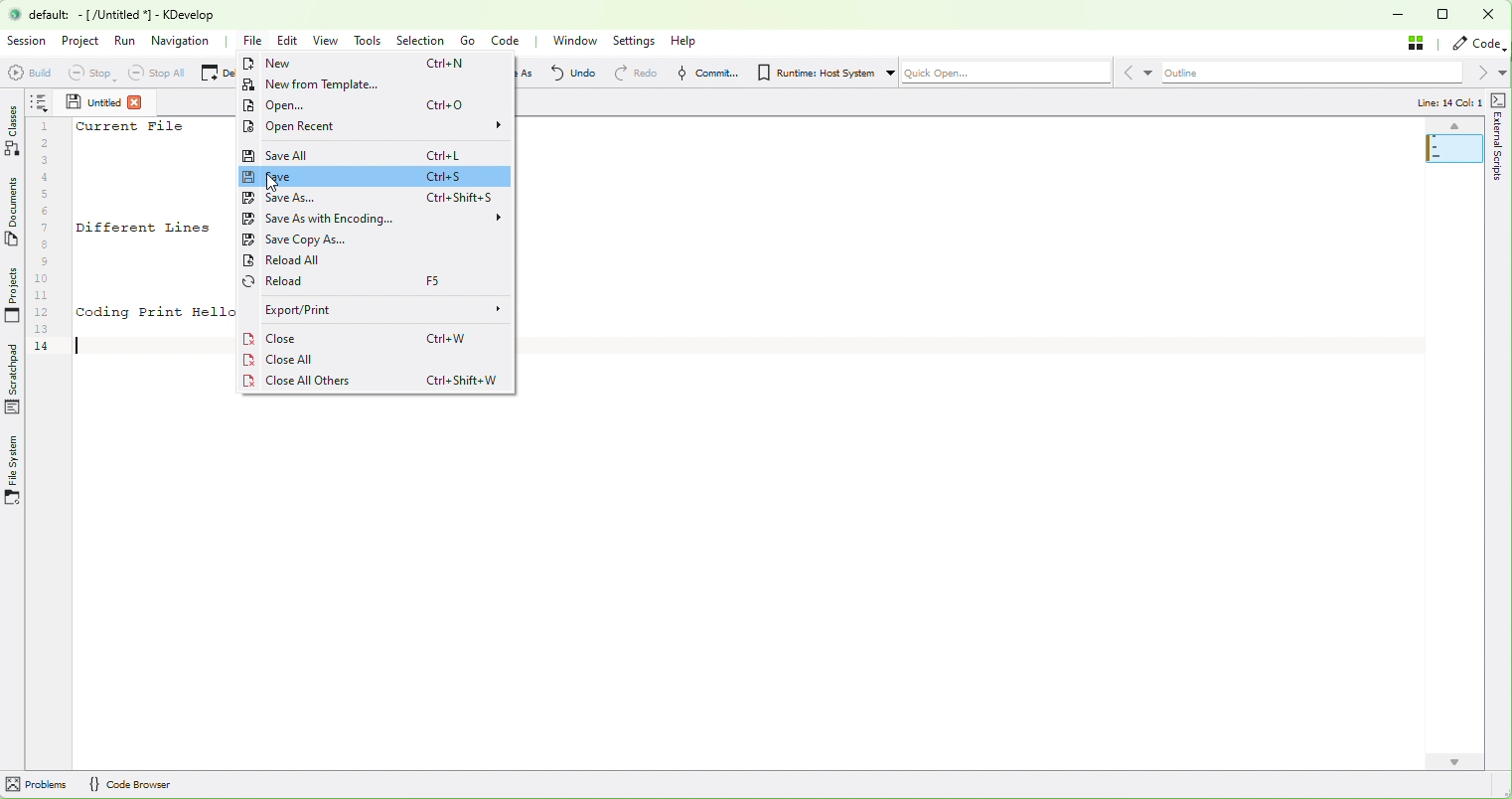 This screenshot has width=1512, height=799. What do you see at coordinates (445, 175) in the screenshot?
I see `Ctri+S` at bounding box center [445, 175].